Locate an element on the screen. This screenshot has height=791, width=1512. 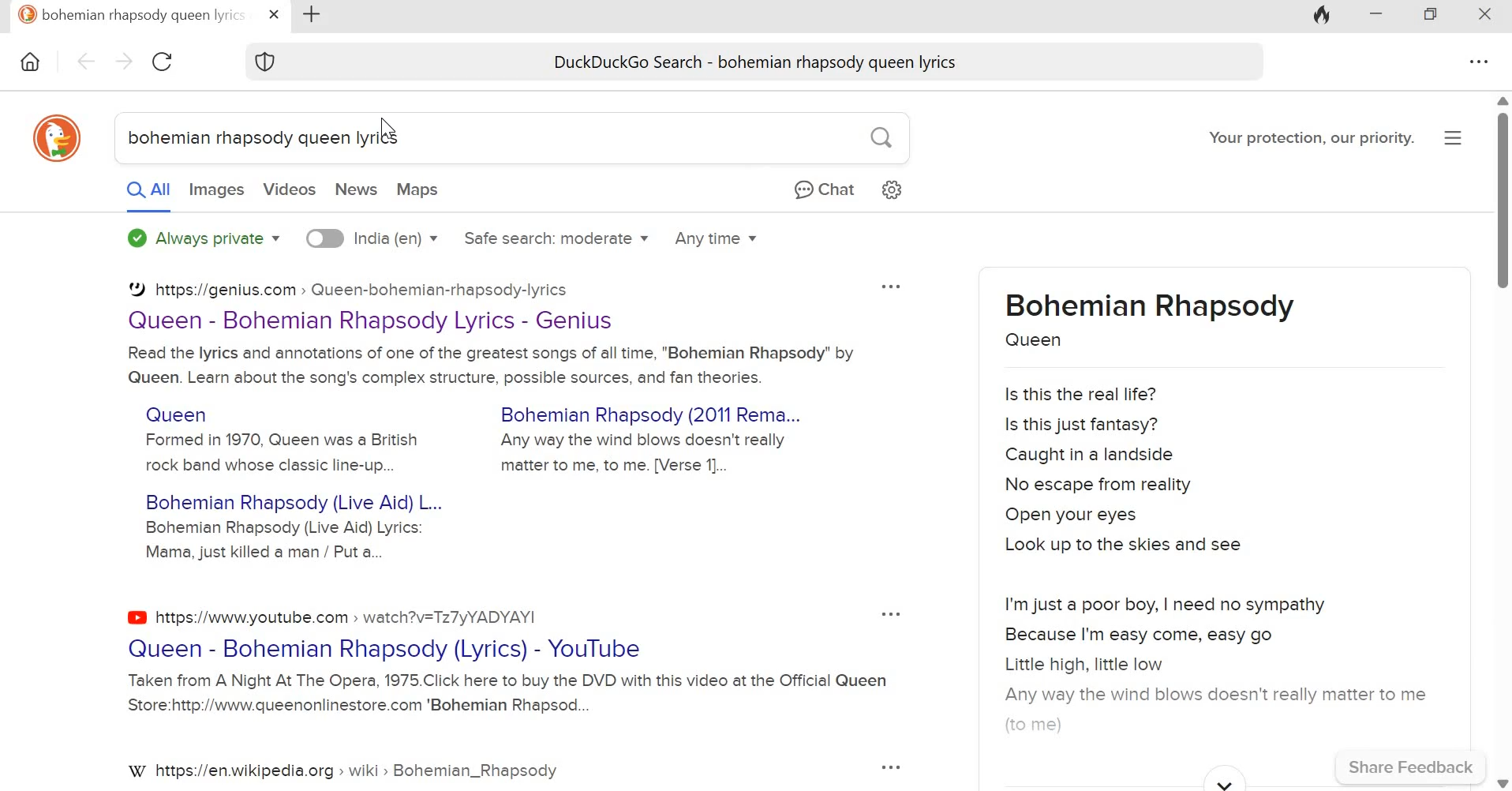
Queen is located at coordinates (182, 415).